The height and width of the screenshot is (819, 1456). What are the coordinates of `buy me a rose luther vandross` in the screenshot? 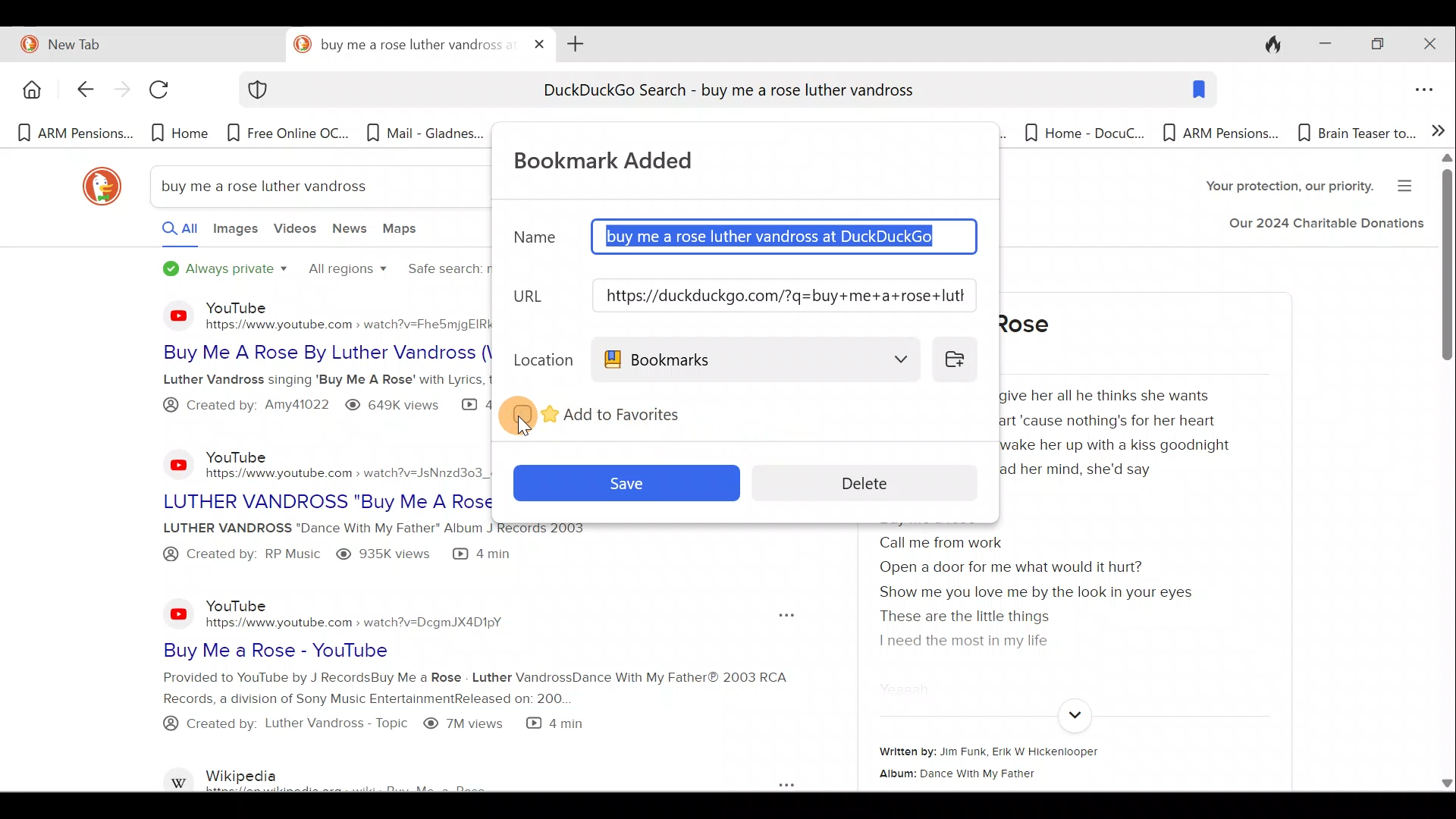 It's located at (403, 45).